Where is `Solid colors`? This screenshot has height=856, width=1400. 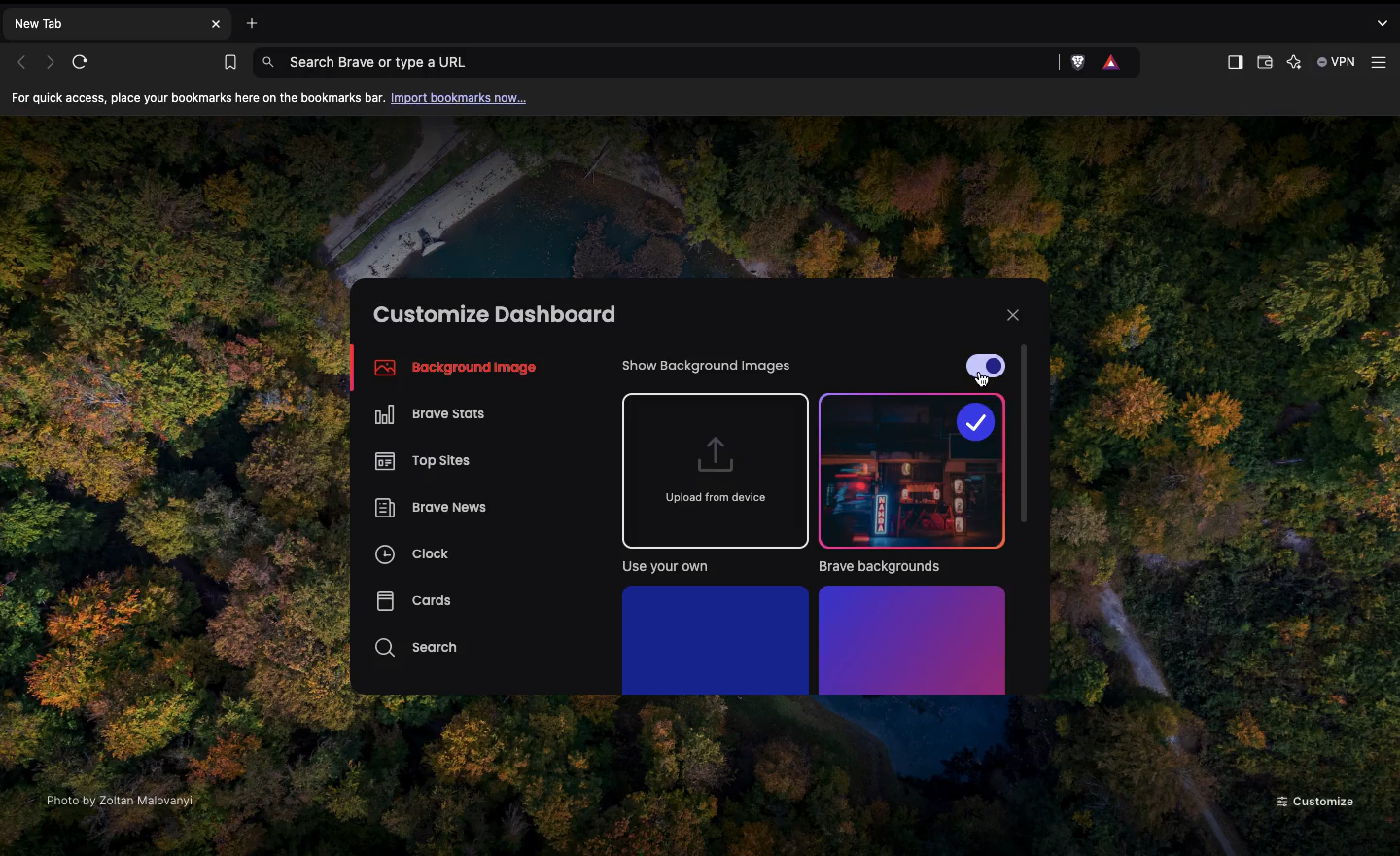
Solid colors is located at coordinates (716, 638).